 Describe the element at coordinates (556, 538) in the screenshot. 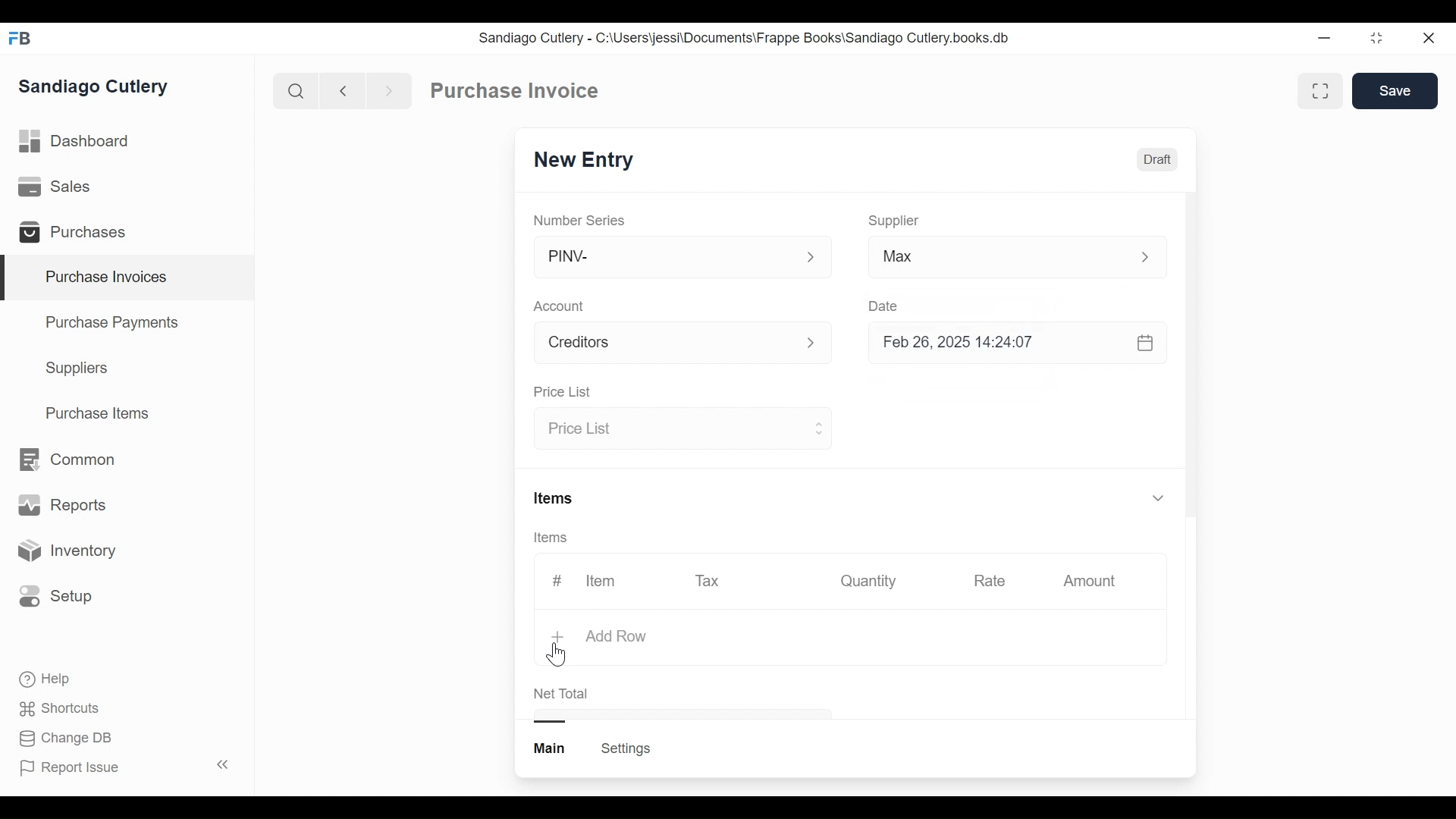

I see `Items` at that location.